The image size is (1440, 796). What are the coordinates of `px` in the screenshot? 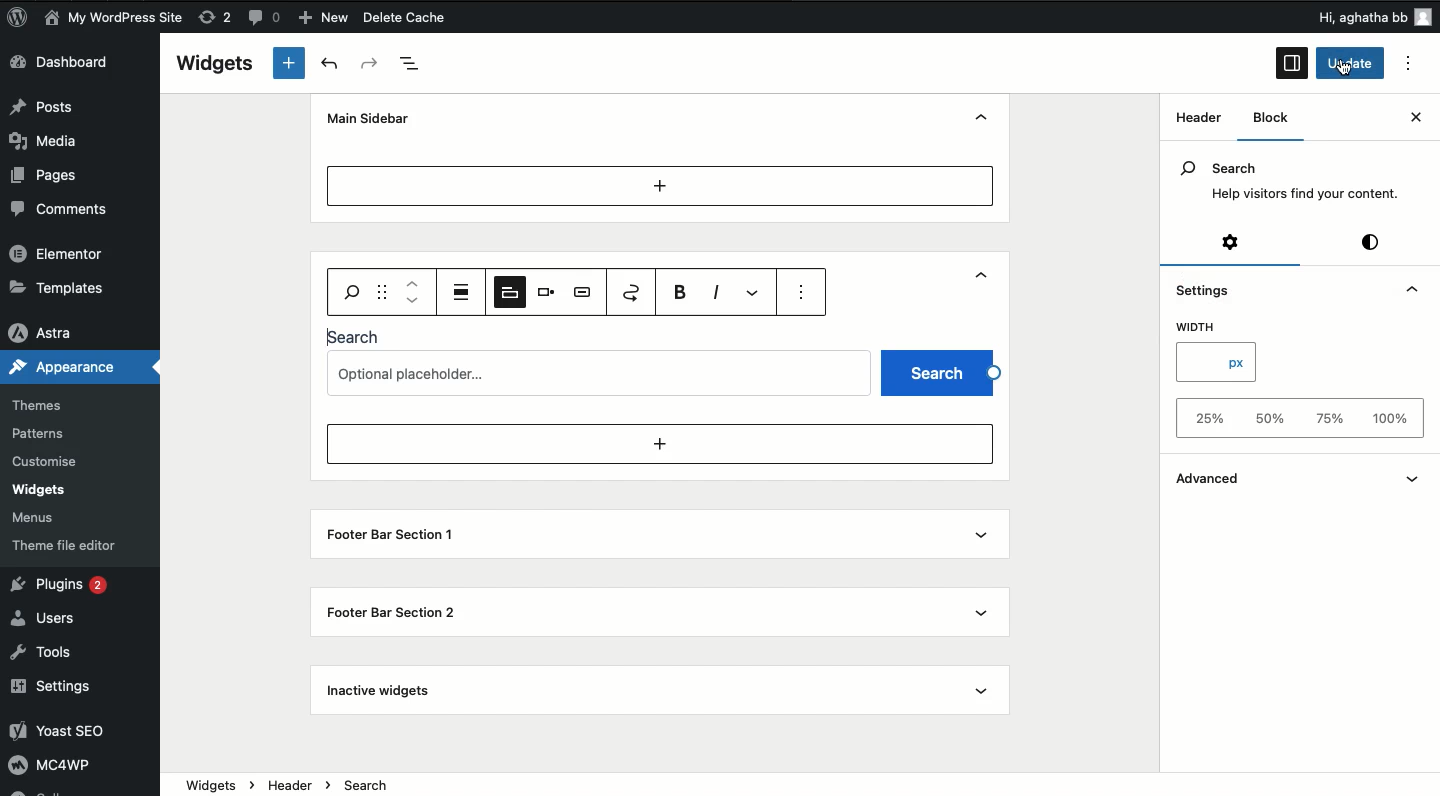 It's located at (1216, 364).